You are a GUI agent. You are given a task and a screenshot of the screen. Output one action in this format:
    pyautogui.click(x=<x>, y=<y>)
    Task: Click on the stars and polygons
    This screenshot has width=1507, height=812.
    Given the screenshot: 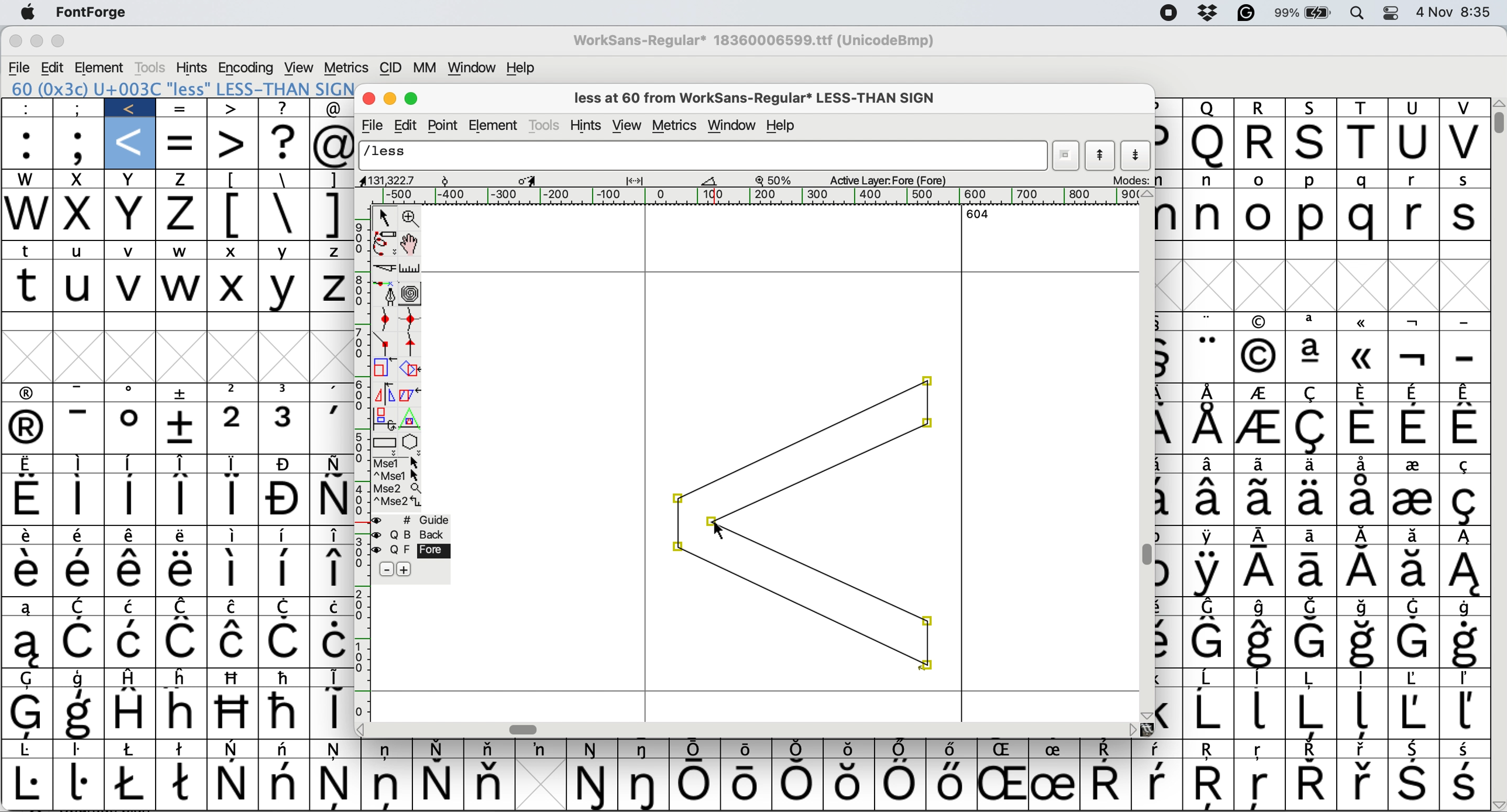 What is the action you would take?
    pyautogui.click(x=412, y=442)
    